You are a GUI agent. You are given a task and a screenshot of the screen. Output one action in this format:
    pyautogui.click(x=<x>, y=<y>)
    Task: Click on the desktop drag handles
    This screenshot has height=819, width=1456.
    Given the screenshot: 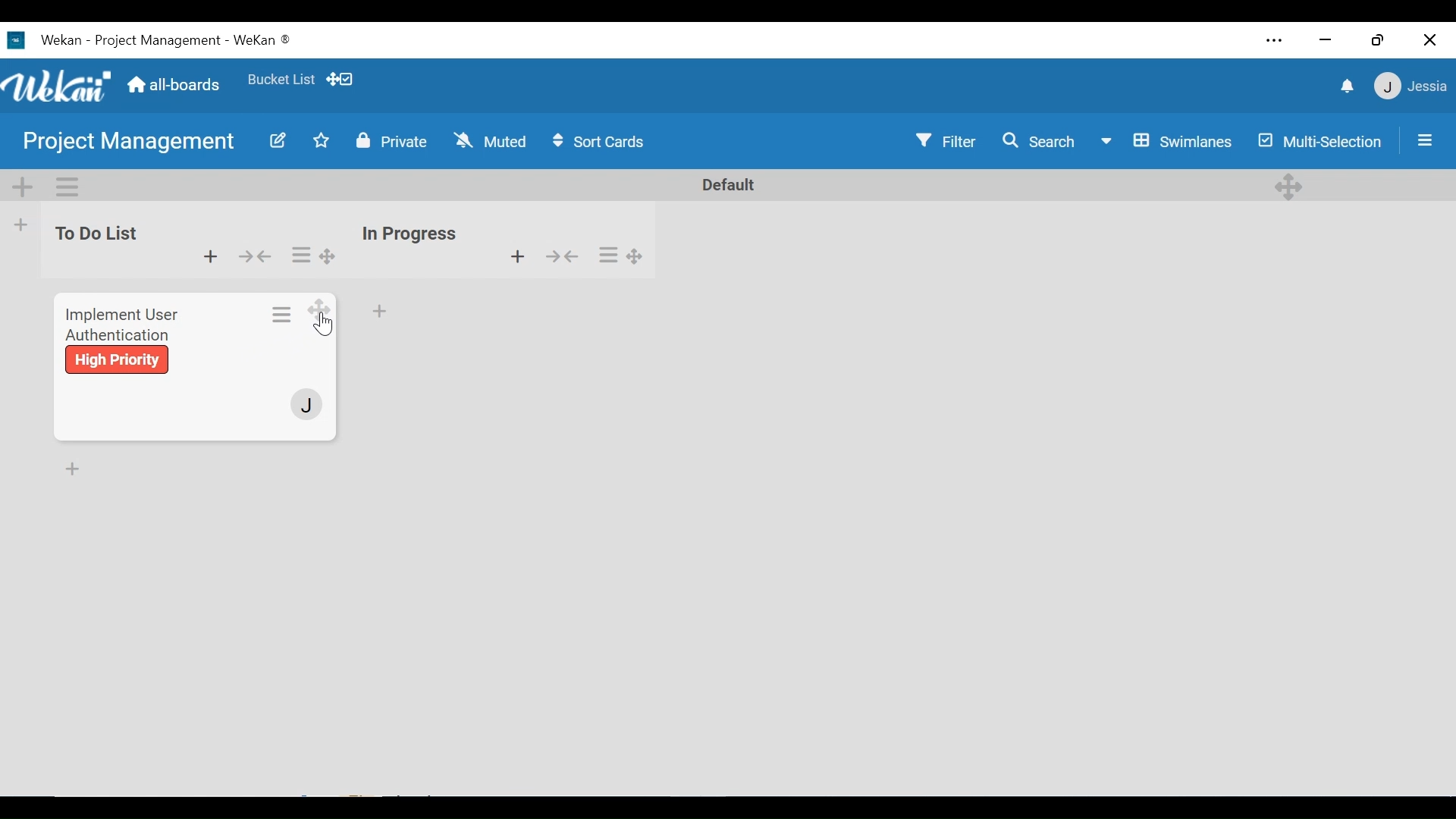 What is the action you would take?
    pyautogui.click(x=1288, y=187)
    